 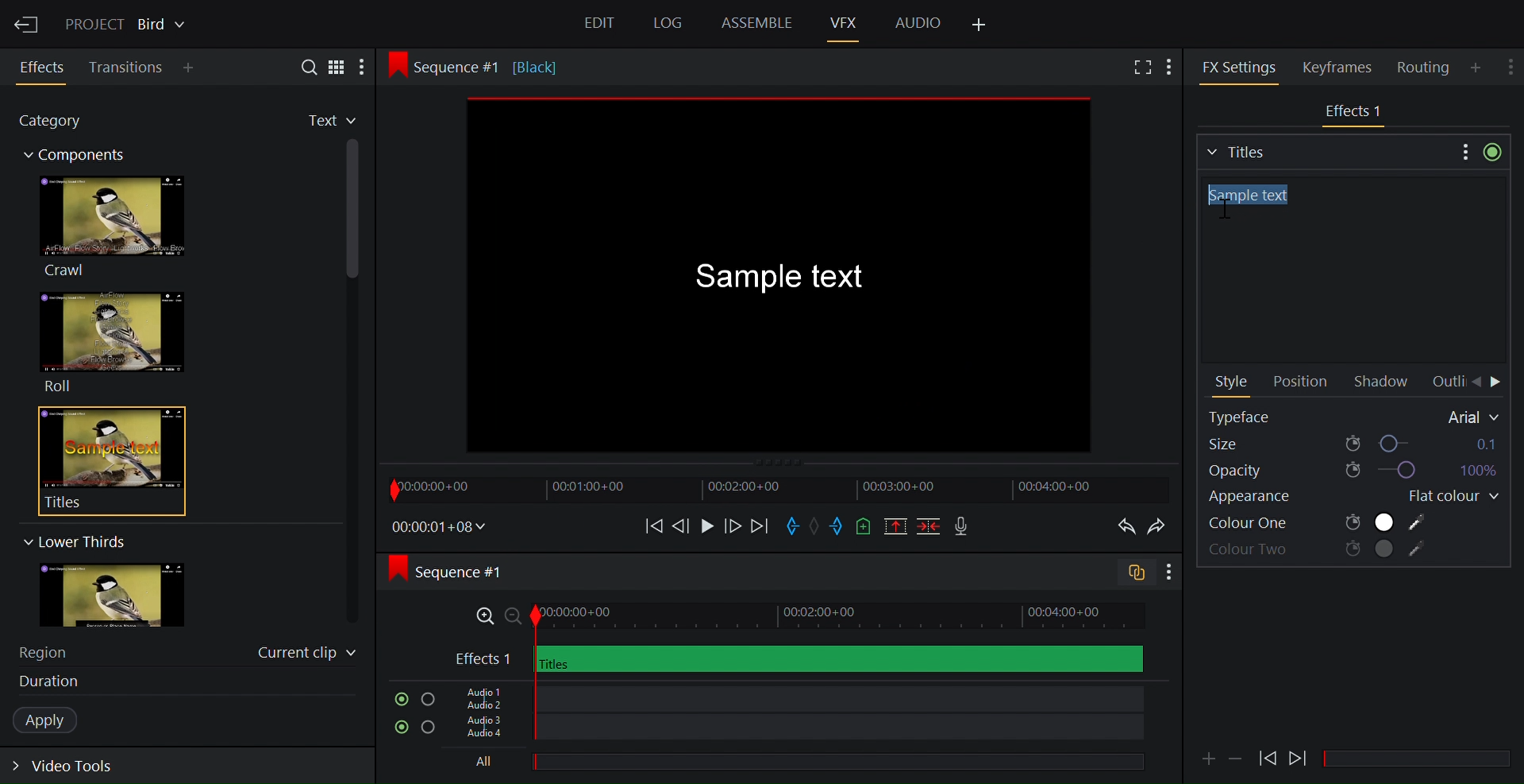 I want to click on Minimize, so click(x=1237, y=757).